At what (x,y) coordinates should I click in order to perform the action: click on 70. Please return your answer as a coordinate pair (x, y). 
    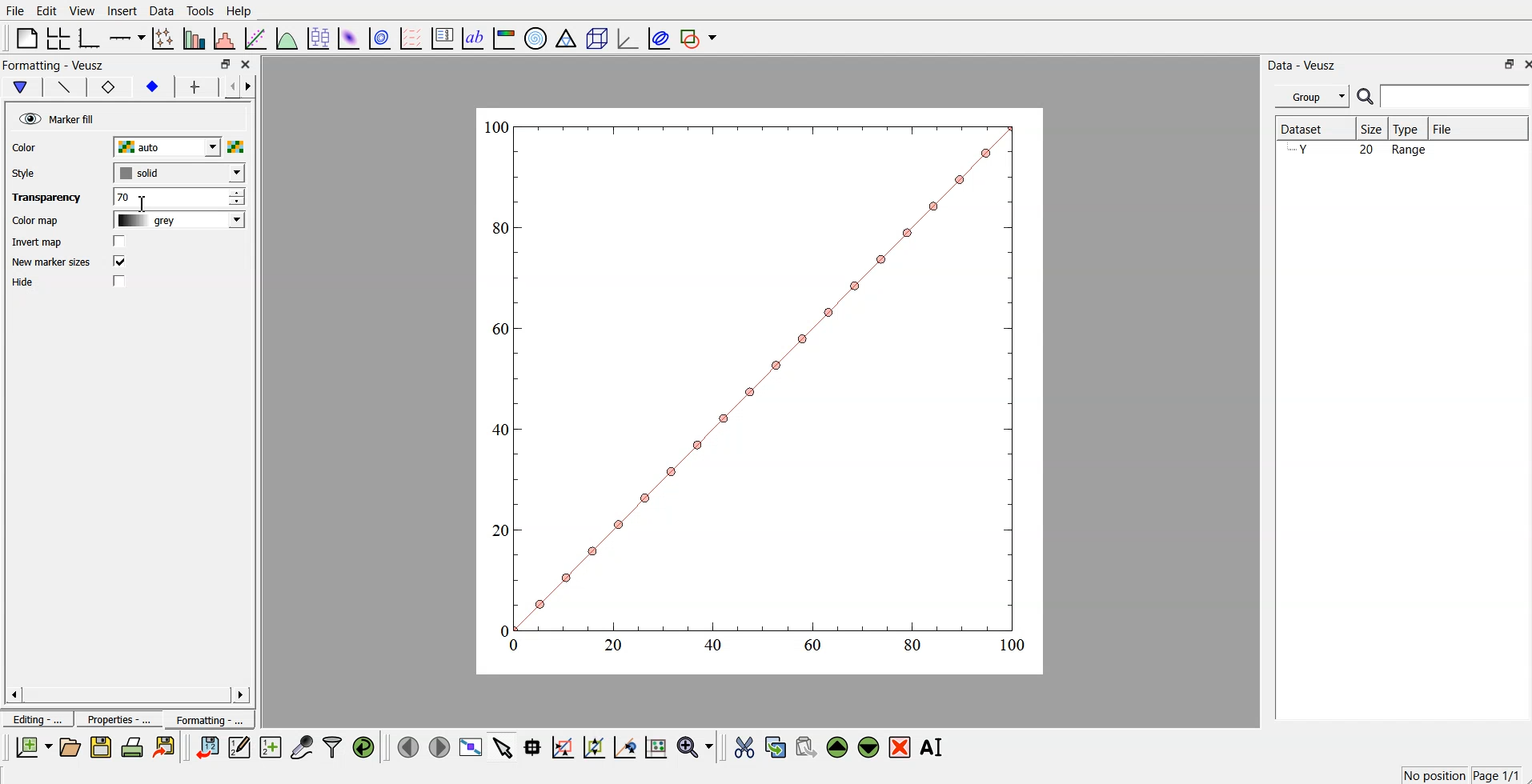
    Looking at the image, I should click on (178, 197).